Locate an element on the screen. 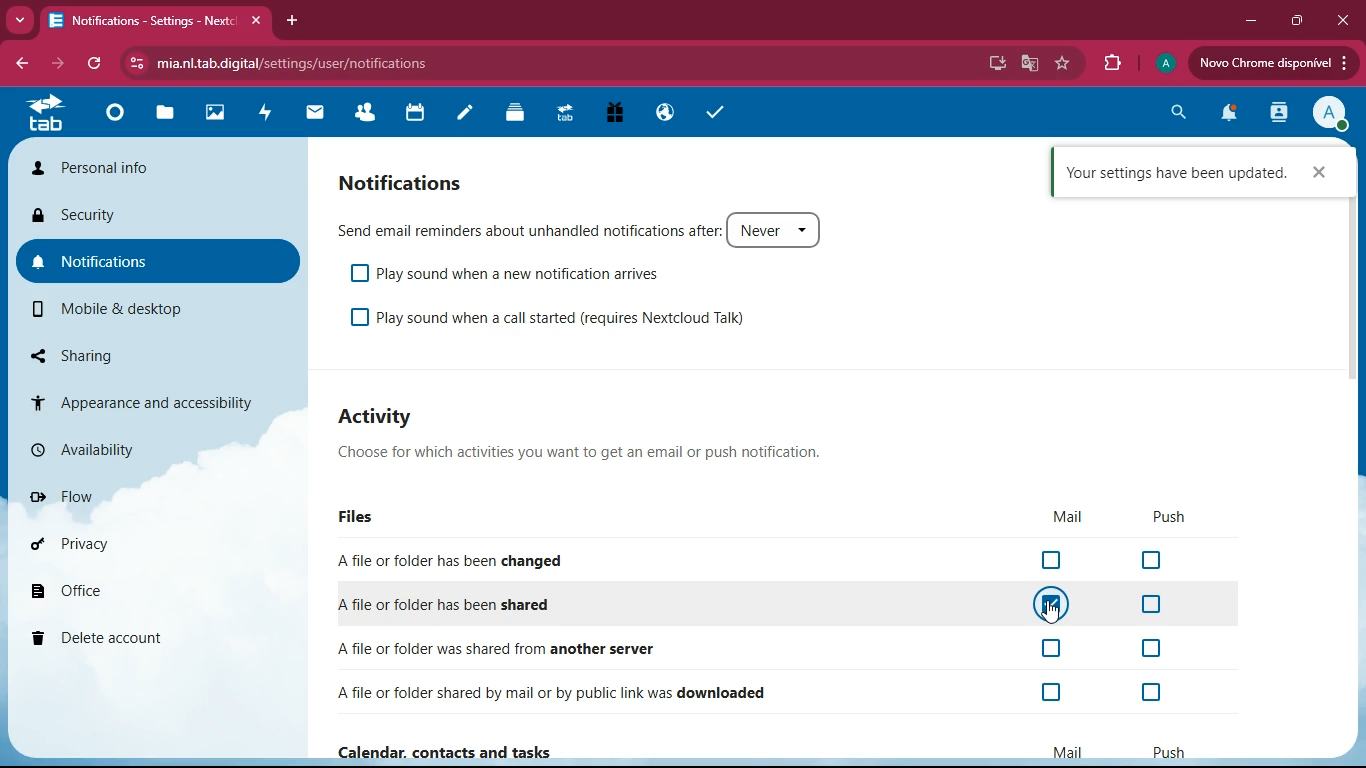 This screenshot has height=768, width=1366. add tab is located at coordinates (290, 21).